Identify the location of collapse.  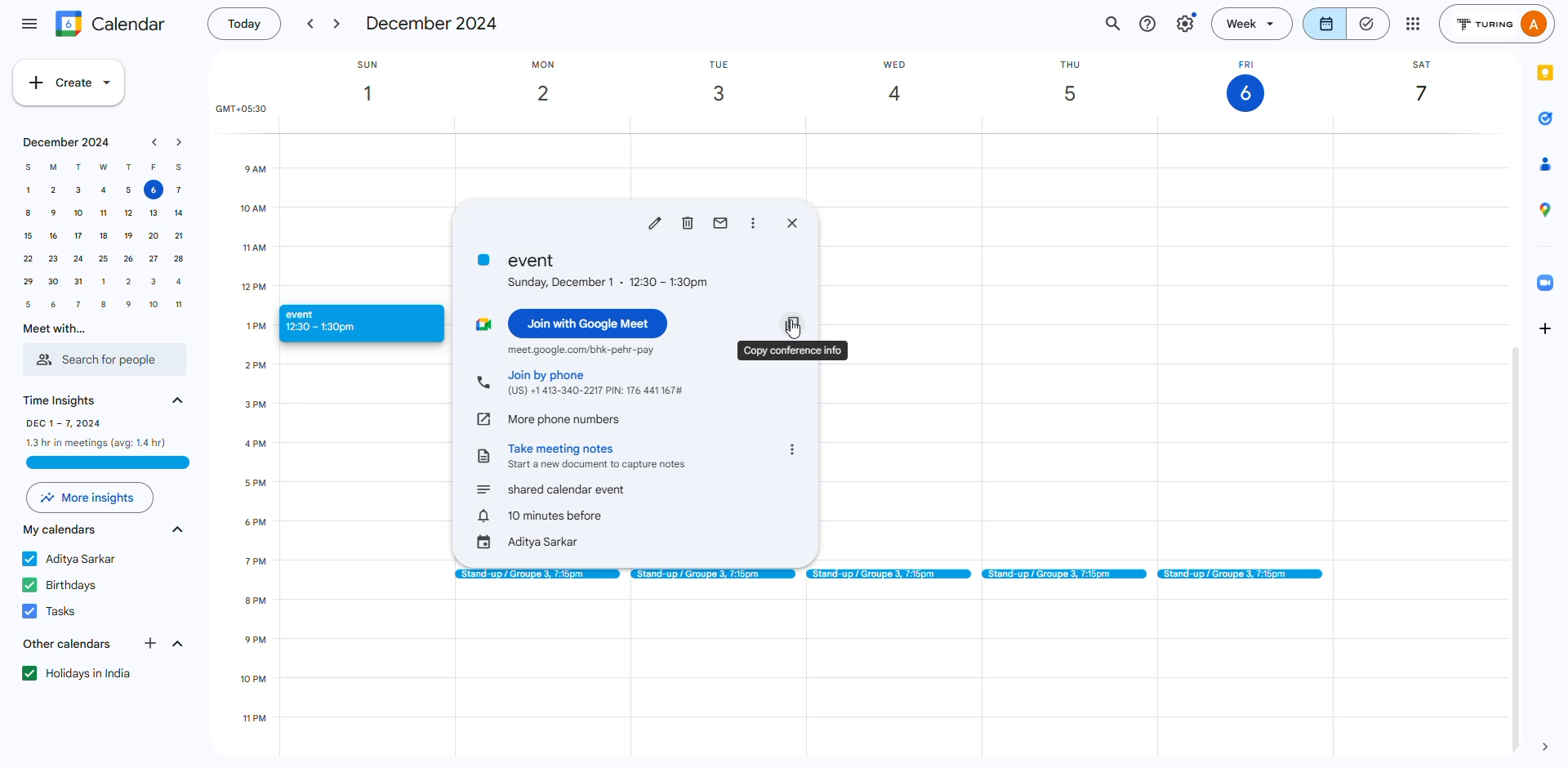
(176, 532).